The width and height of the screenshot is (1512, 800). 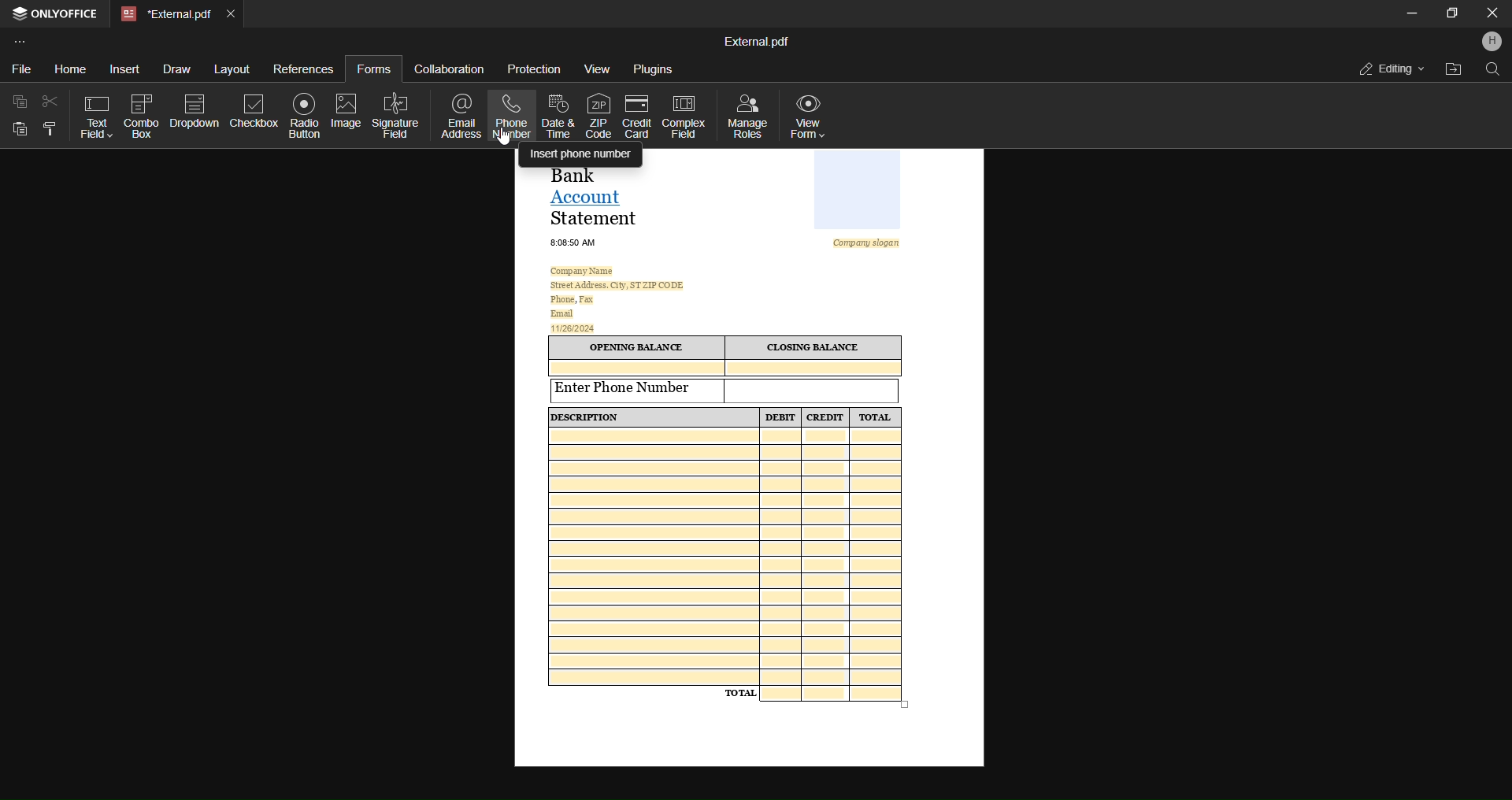 What do you see at coordinates (1492, 70) in the screenshot?
I see `find` at bounding box center [1492, 70].